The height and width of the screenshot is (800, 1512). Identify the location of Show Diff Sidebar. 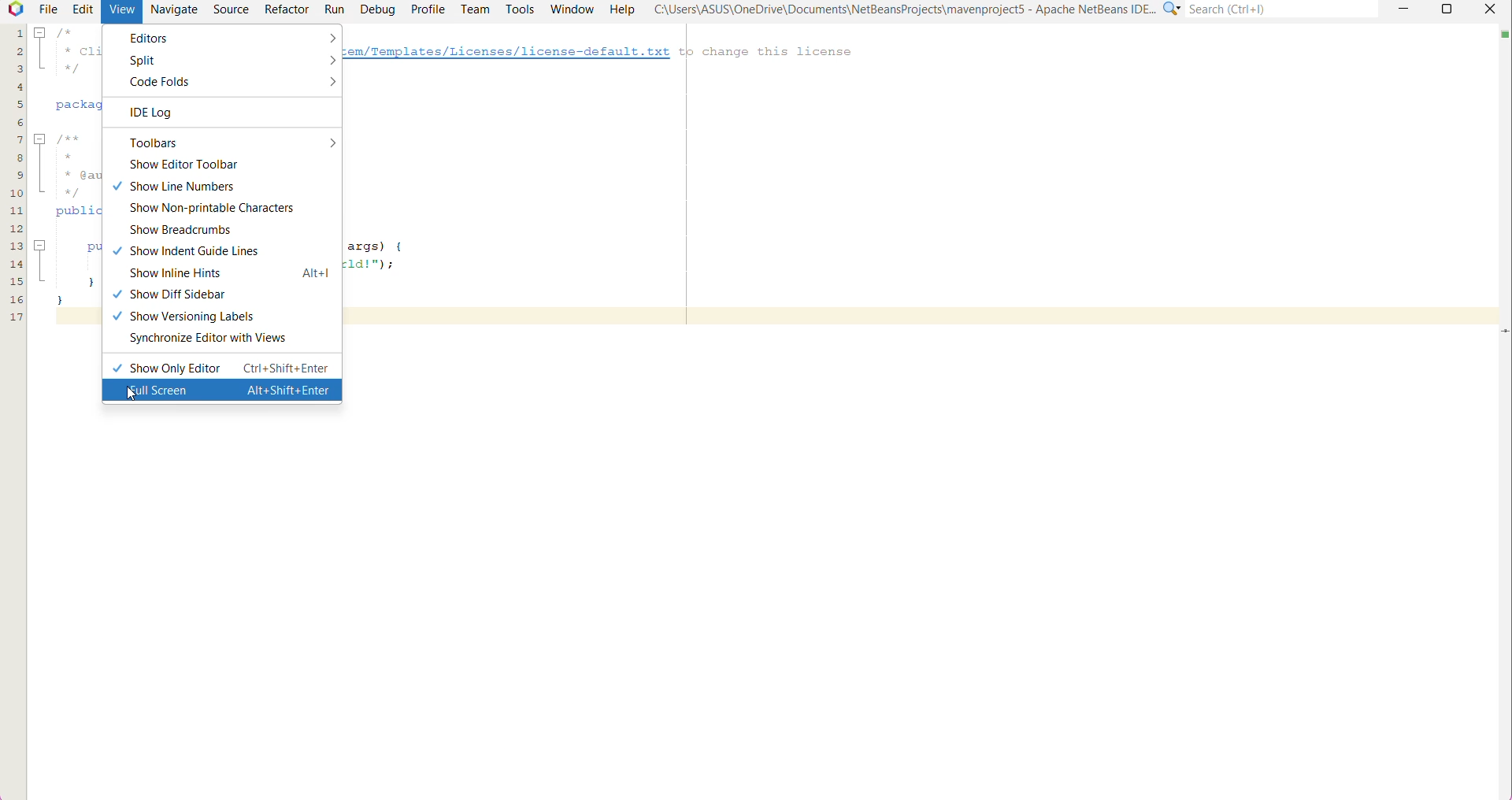
(181, 293).